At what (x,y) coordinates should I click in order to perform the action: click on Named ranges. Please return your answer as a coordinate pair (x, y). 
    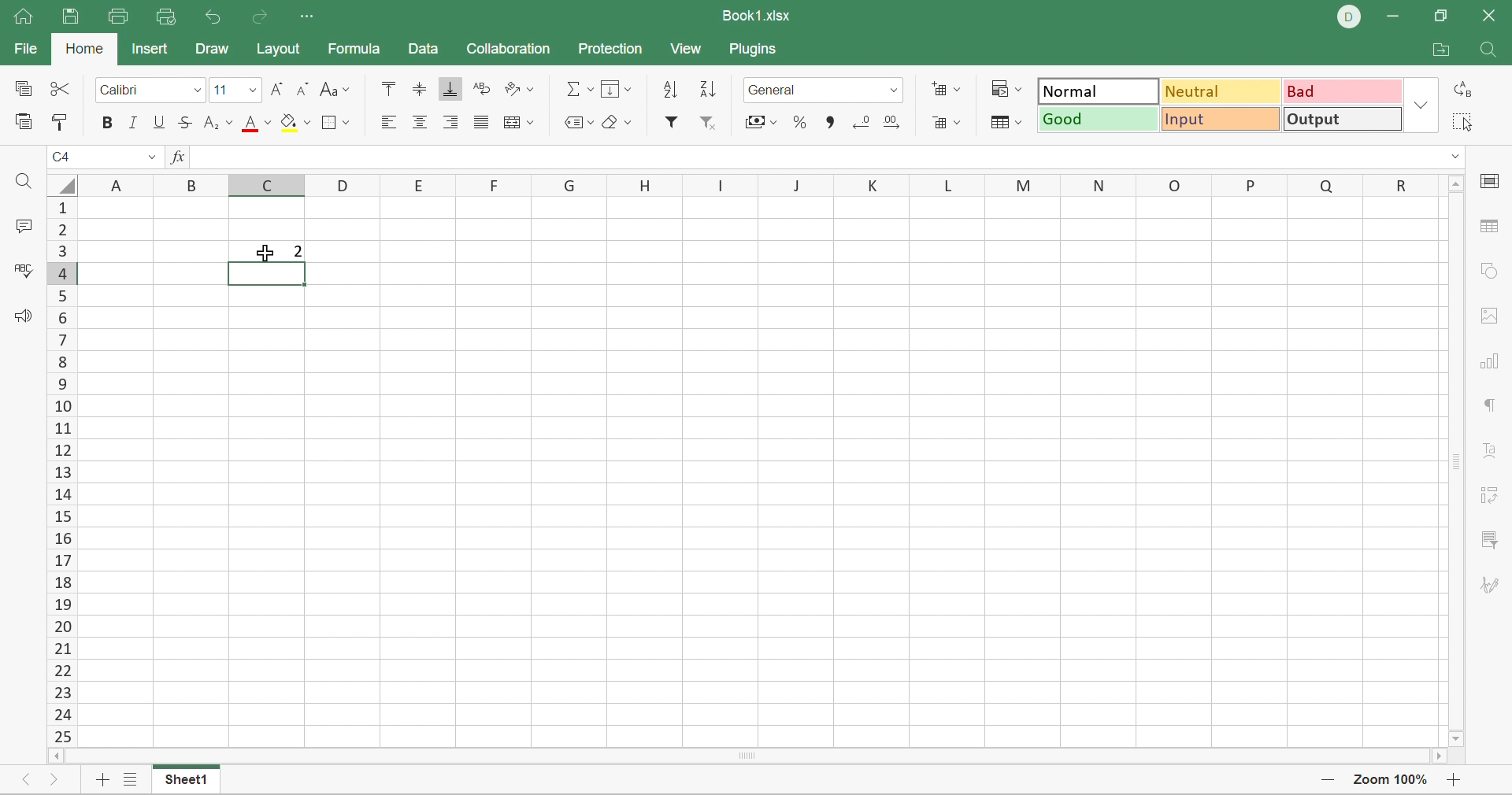
    Looking at the image, I should click on (580, 122).